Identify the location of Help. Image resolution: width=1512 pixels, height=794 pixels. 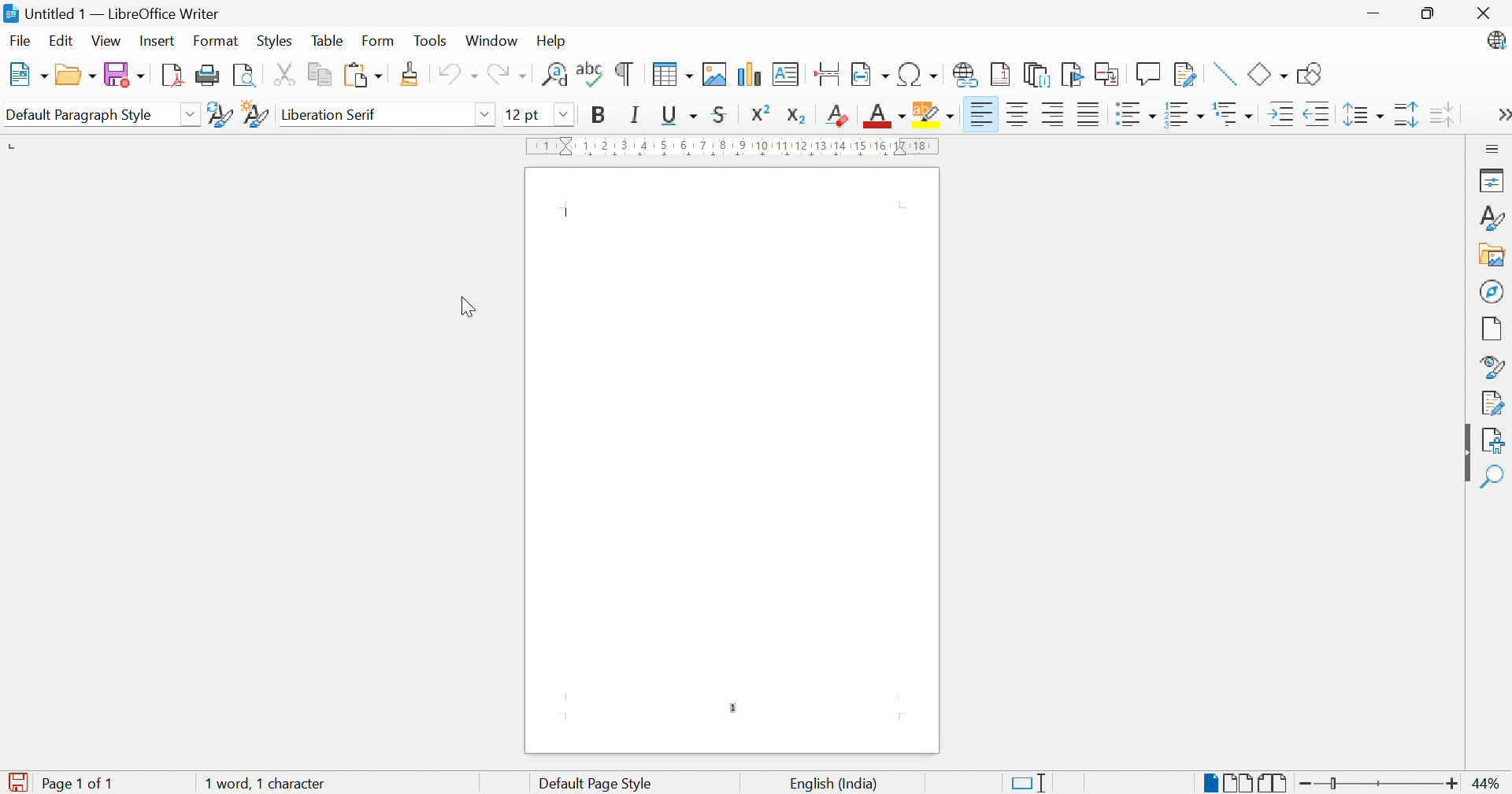
(552, 42).